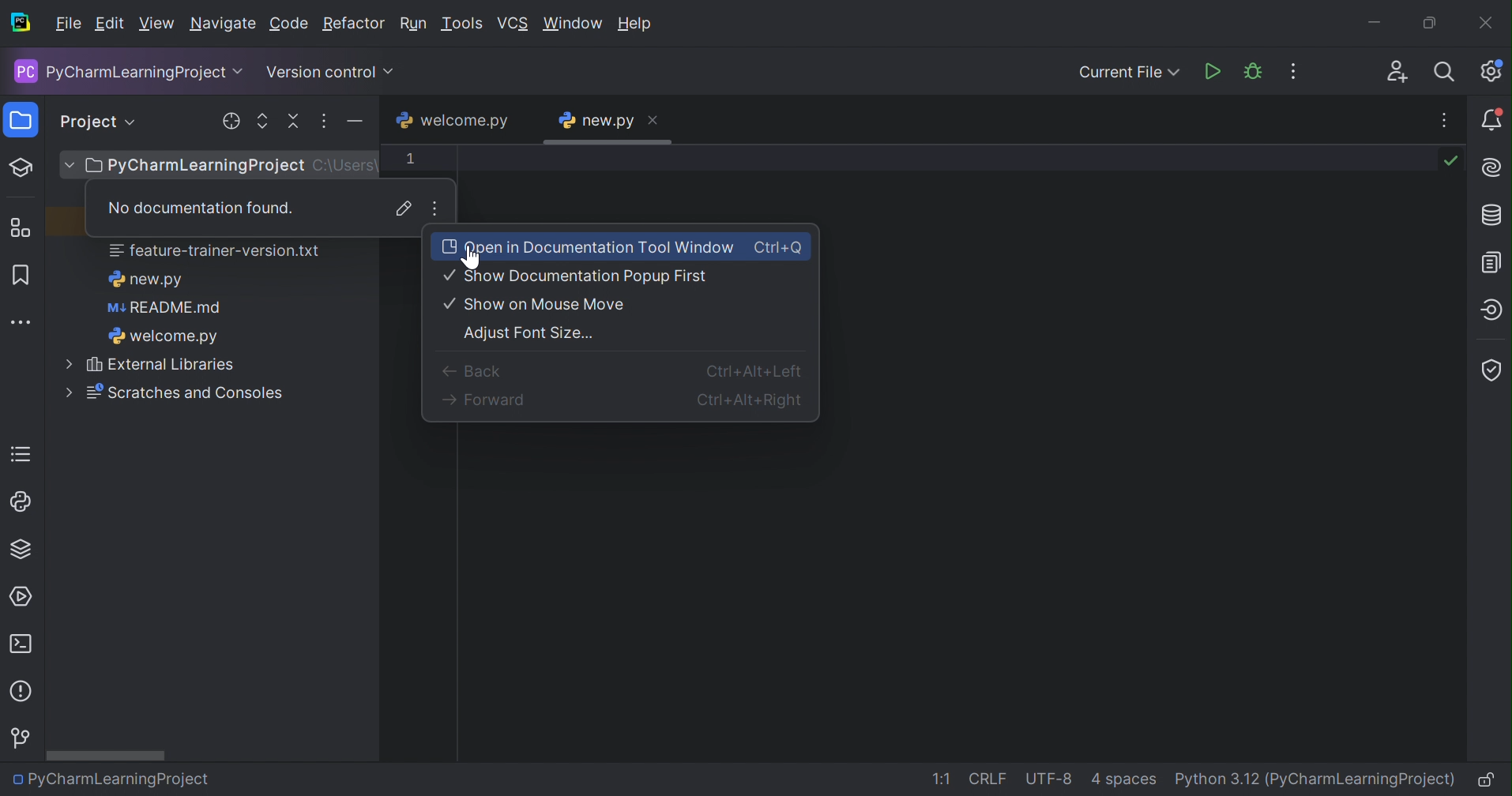 The image size is (1512, 796). What do you see at coordinates (1491, 119) in the screenshot?
I see `Notifications` at bounding box center [1491, 119].